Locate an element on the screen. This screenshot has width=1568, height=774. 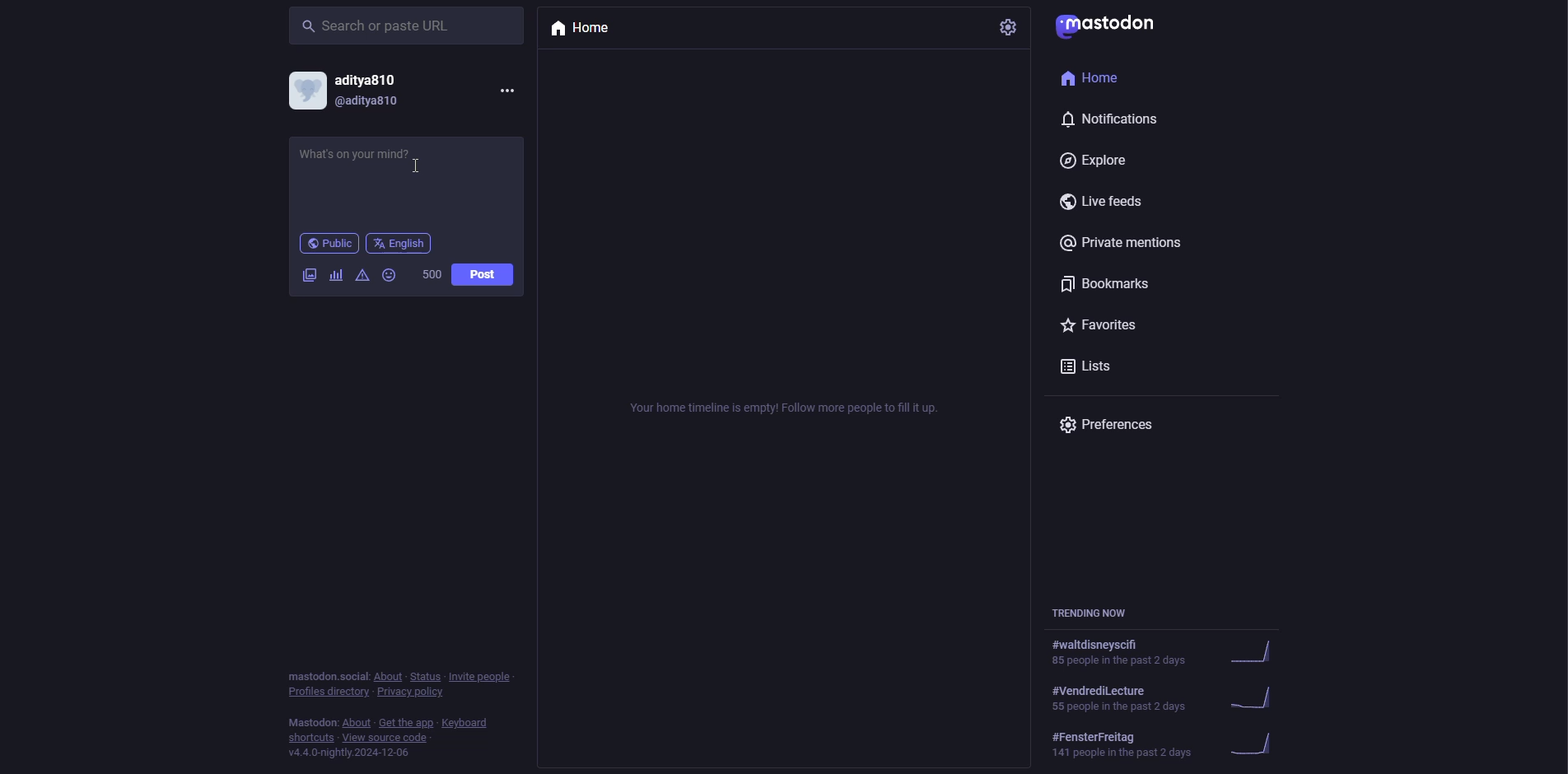
lists is located at coordinates (1090, 370).